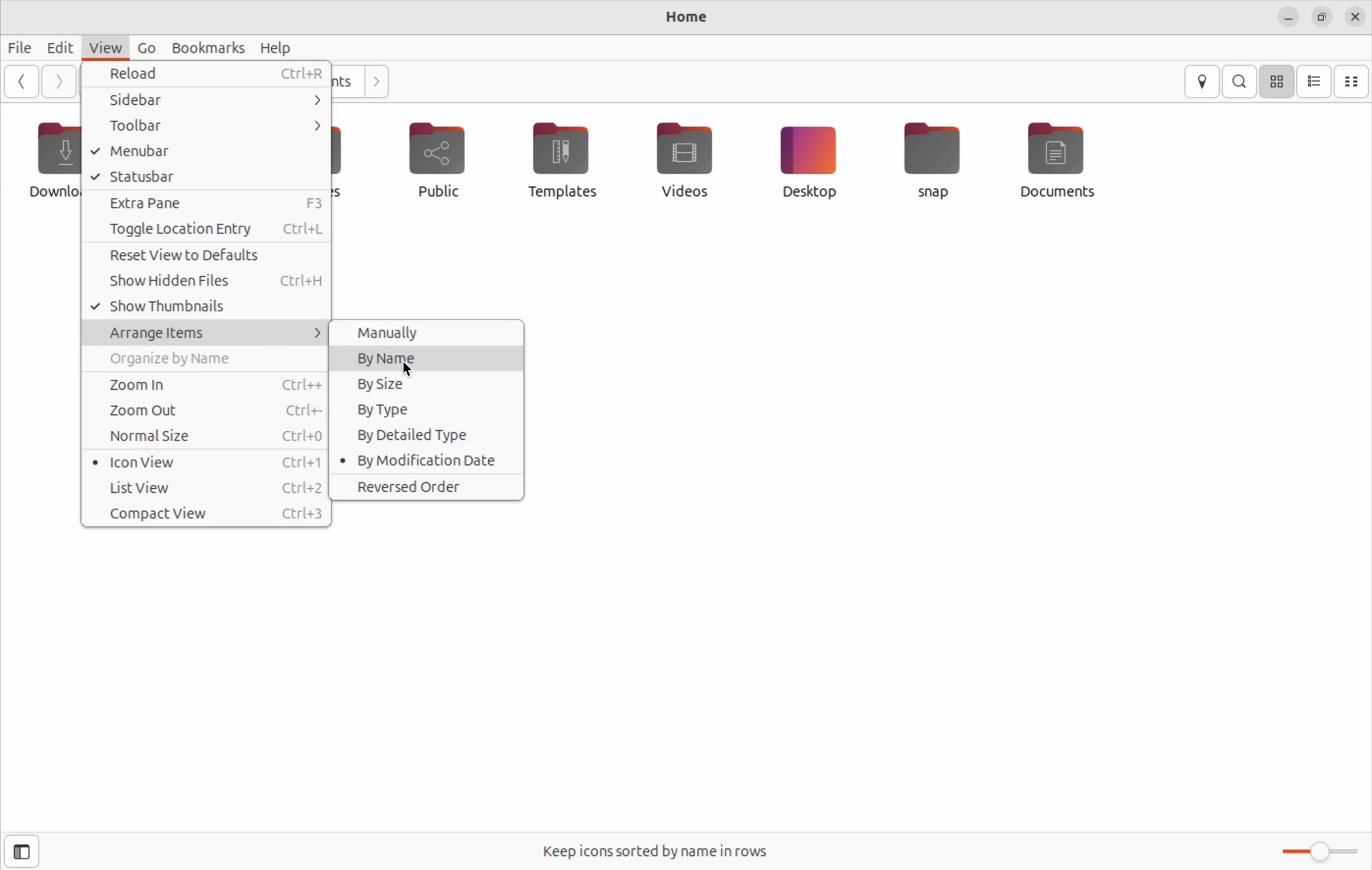  Describe the element at coordinates (1357, 18) in the screenshot. I see `close` at that location.